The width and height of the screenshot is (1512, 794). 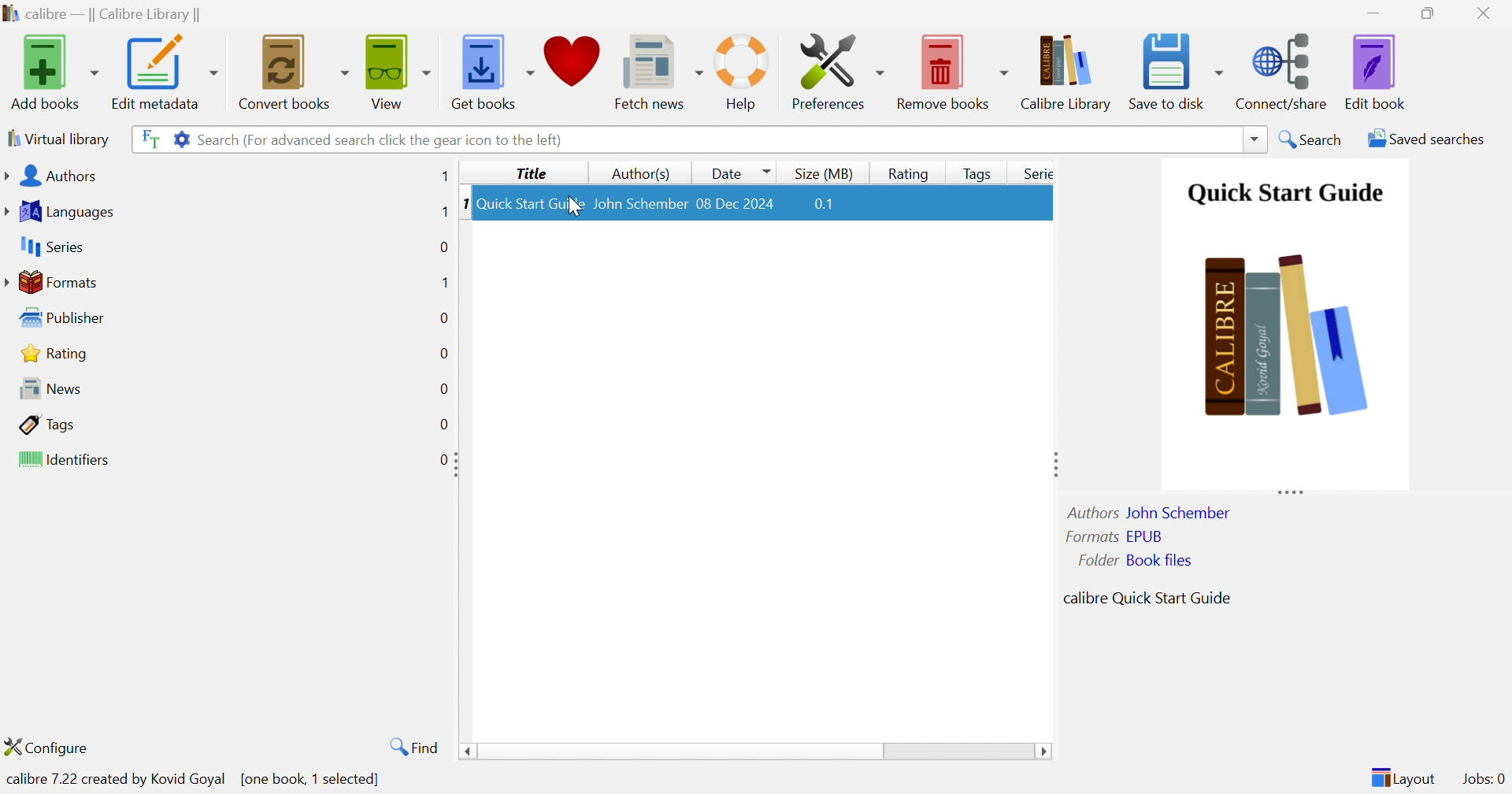 I want to click on Remove Books, so click(x=951, y=69).